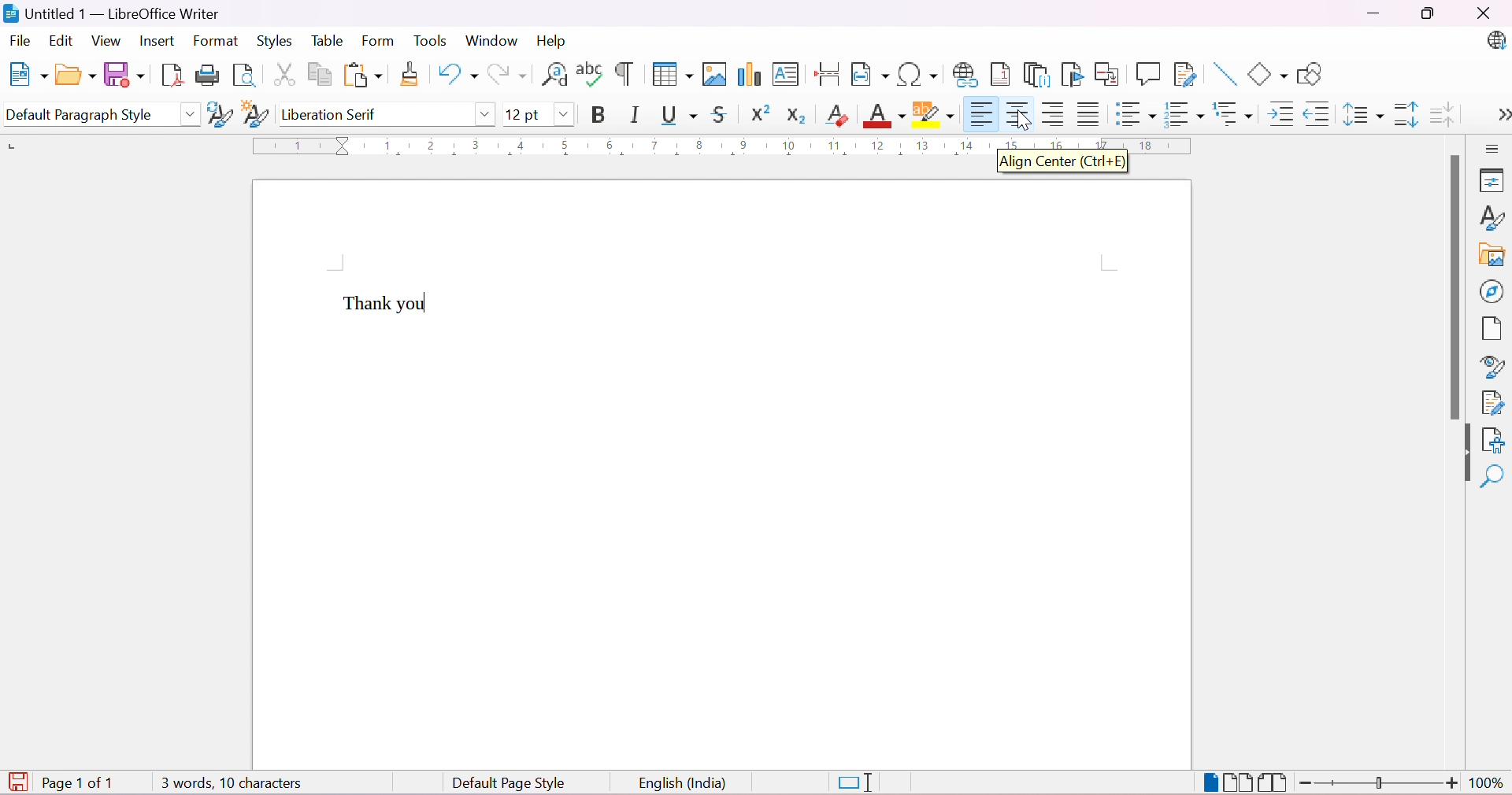 The width and height of the screenshot is (1512, 795). I want to click on Ruler, so click(724, 146).